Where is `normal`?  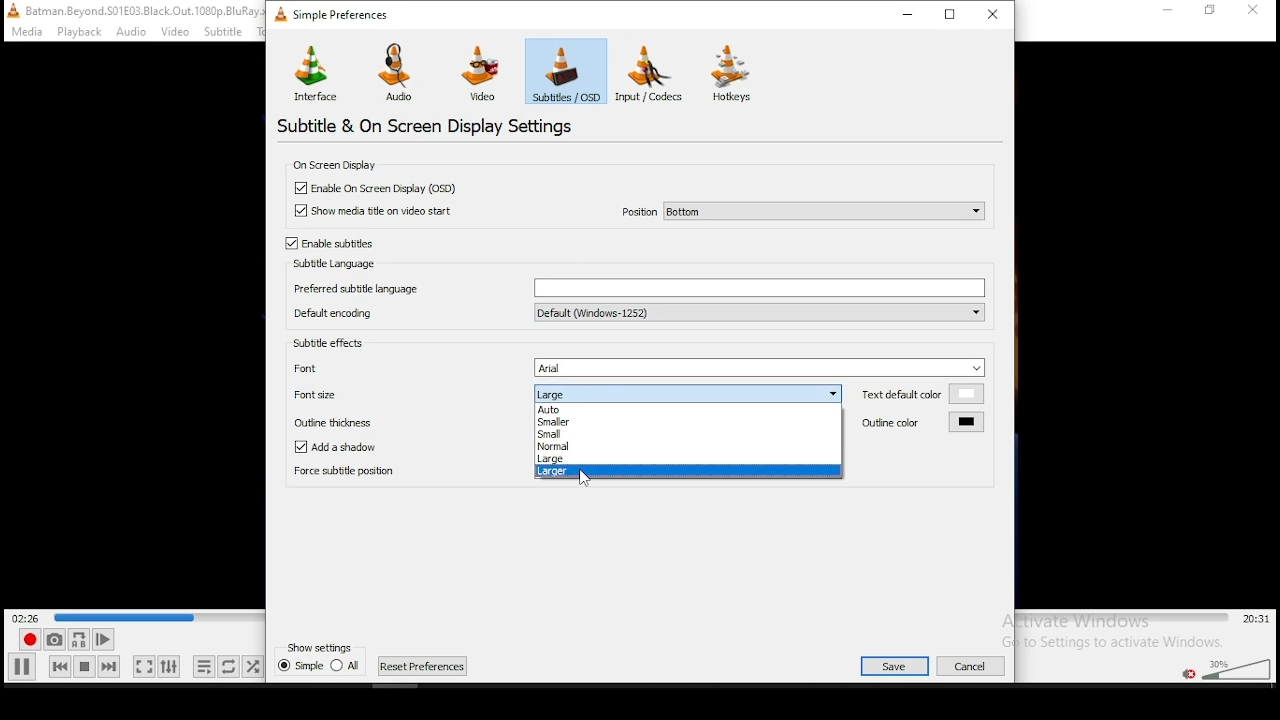
normal is located at coordinates (687, 446).